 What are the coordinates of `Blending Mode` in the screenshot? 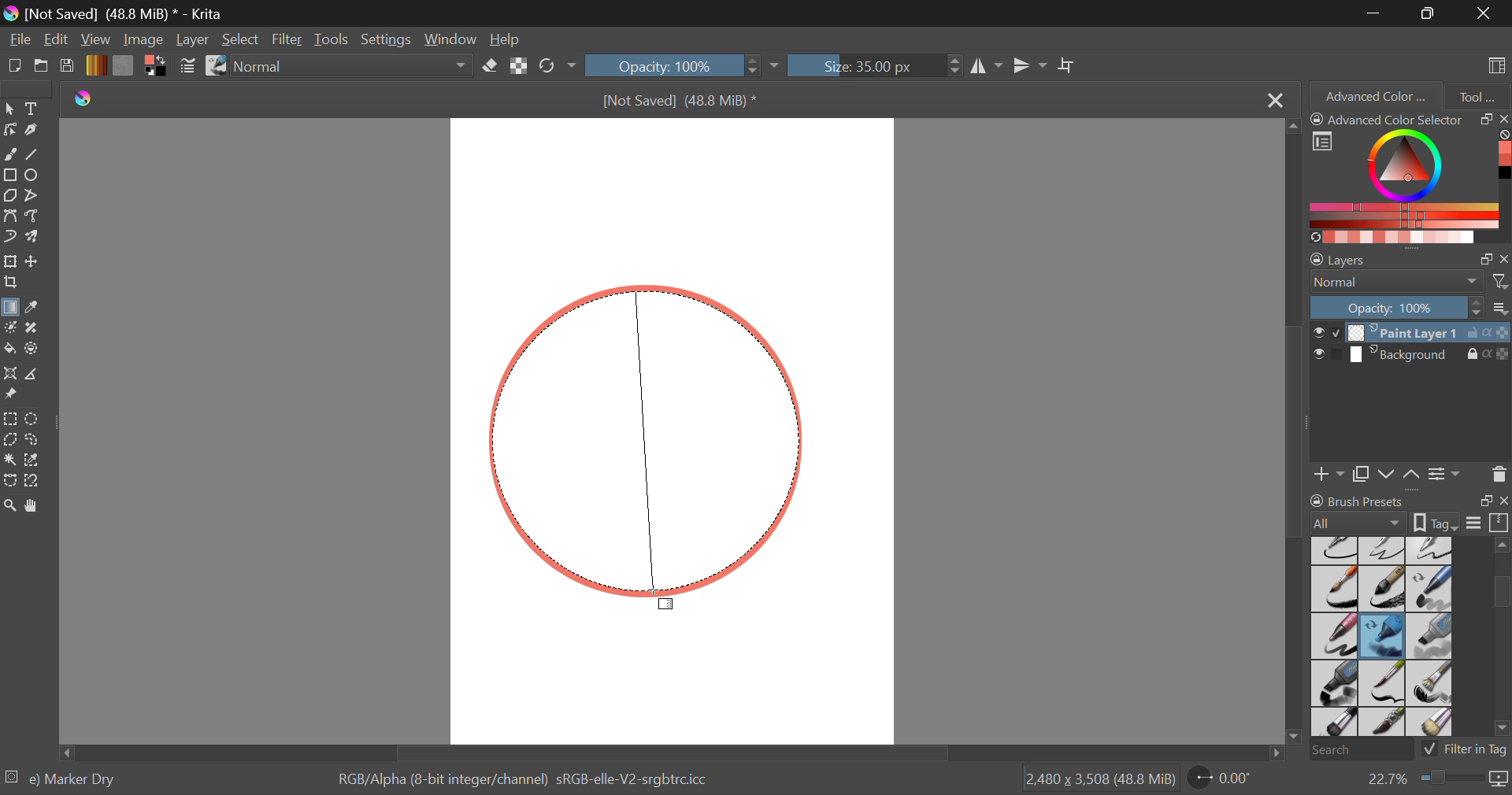 It's located at (1410, 282).